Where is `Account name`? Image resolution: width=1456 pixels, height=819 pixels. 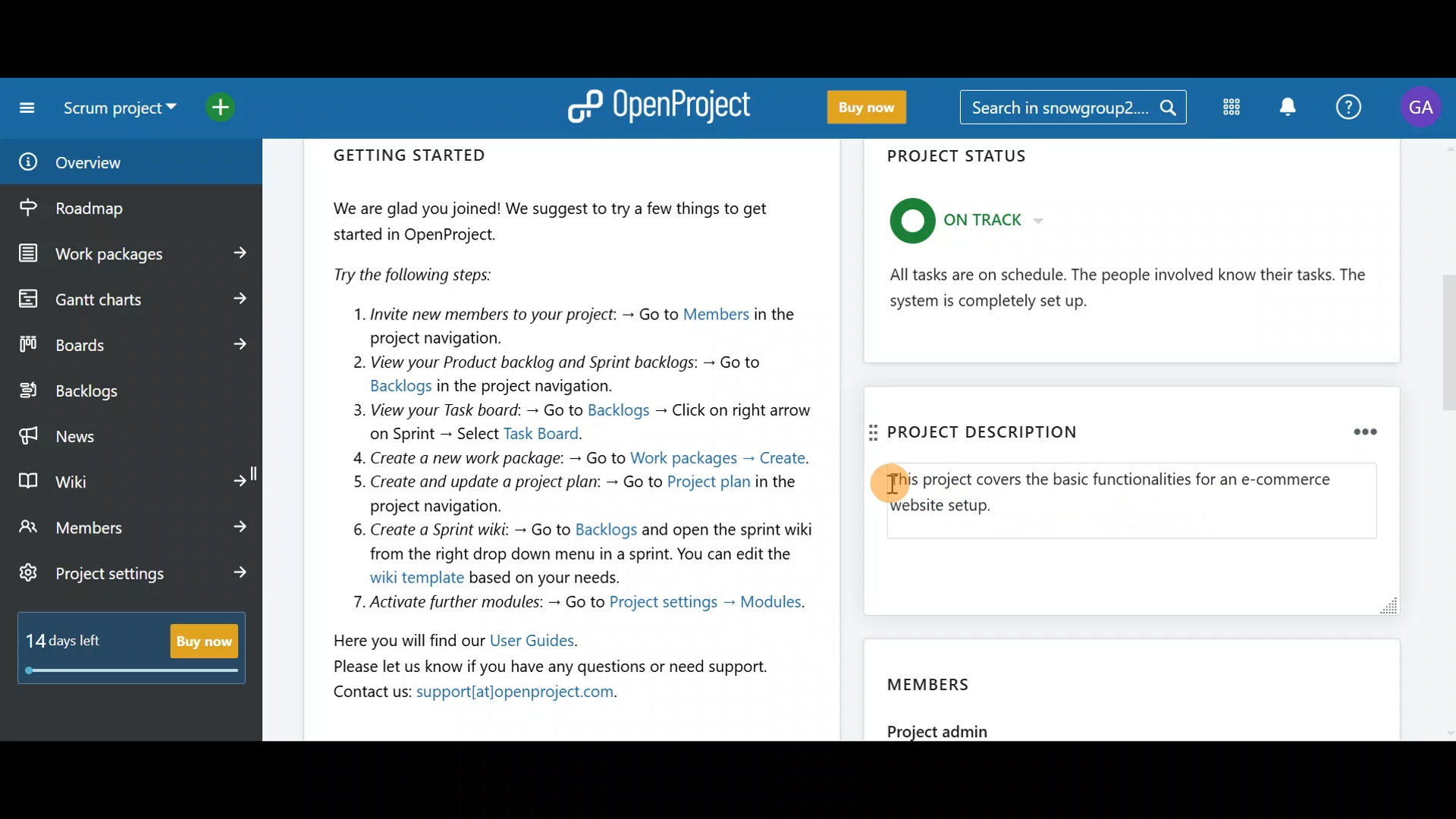
Account name is located at coordinates (1424, 108).